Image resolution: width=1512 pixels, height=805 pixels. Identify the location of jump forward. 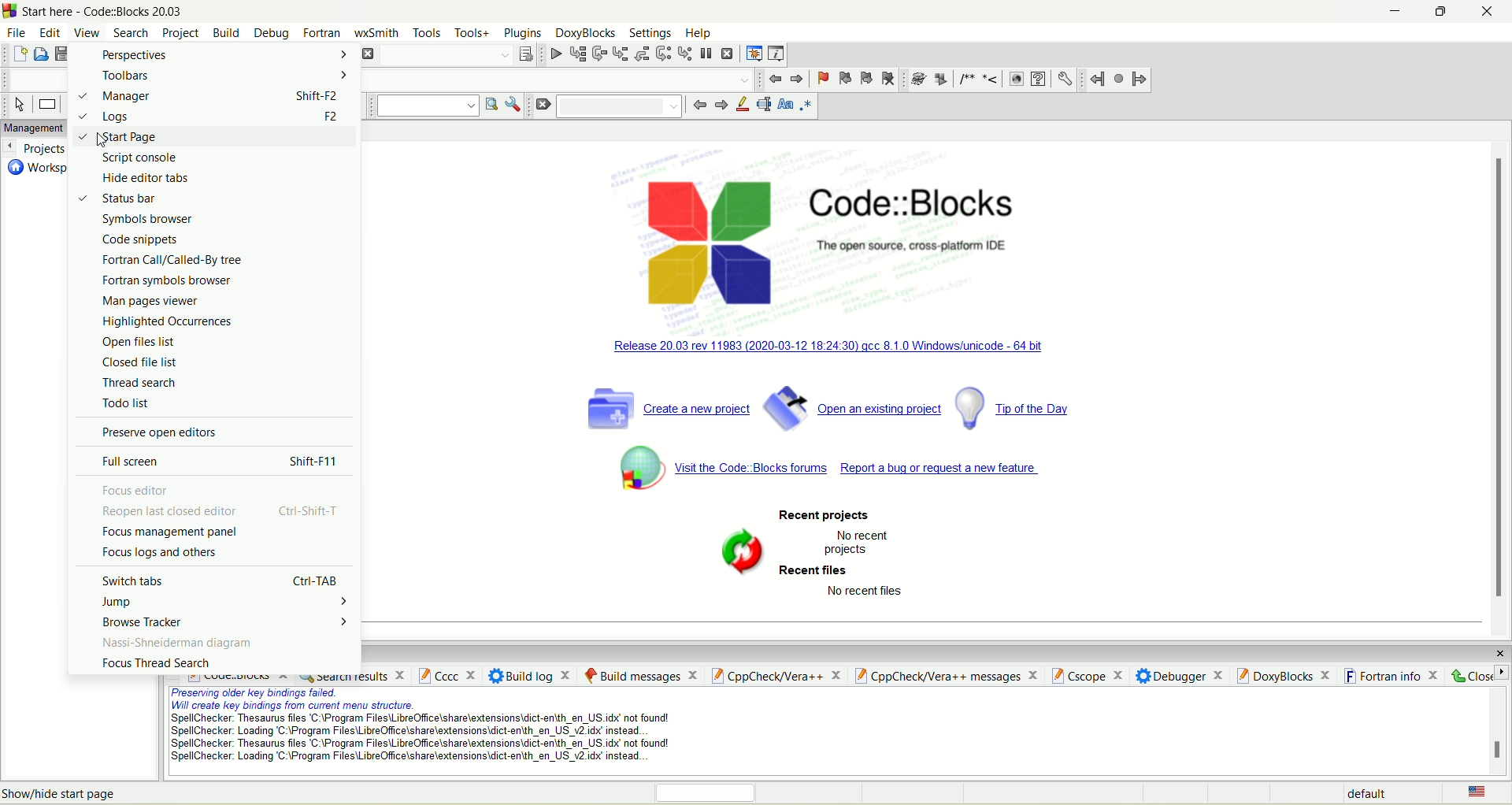
(796, 79).